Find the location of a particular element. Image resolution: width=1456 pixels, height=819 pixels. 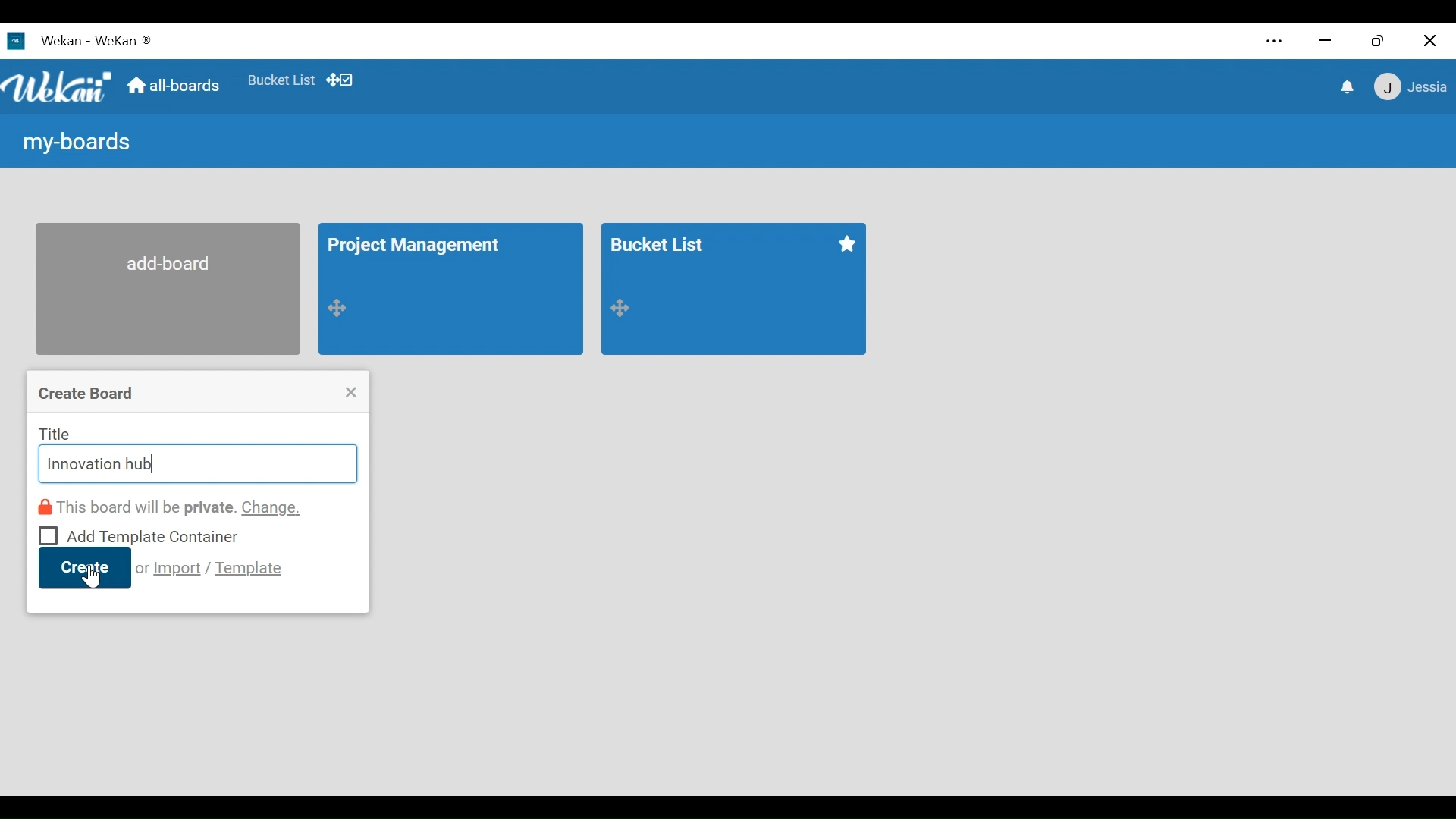

Title is located at coordinates (55, 433).